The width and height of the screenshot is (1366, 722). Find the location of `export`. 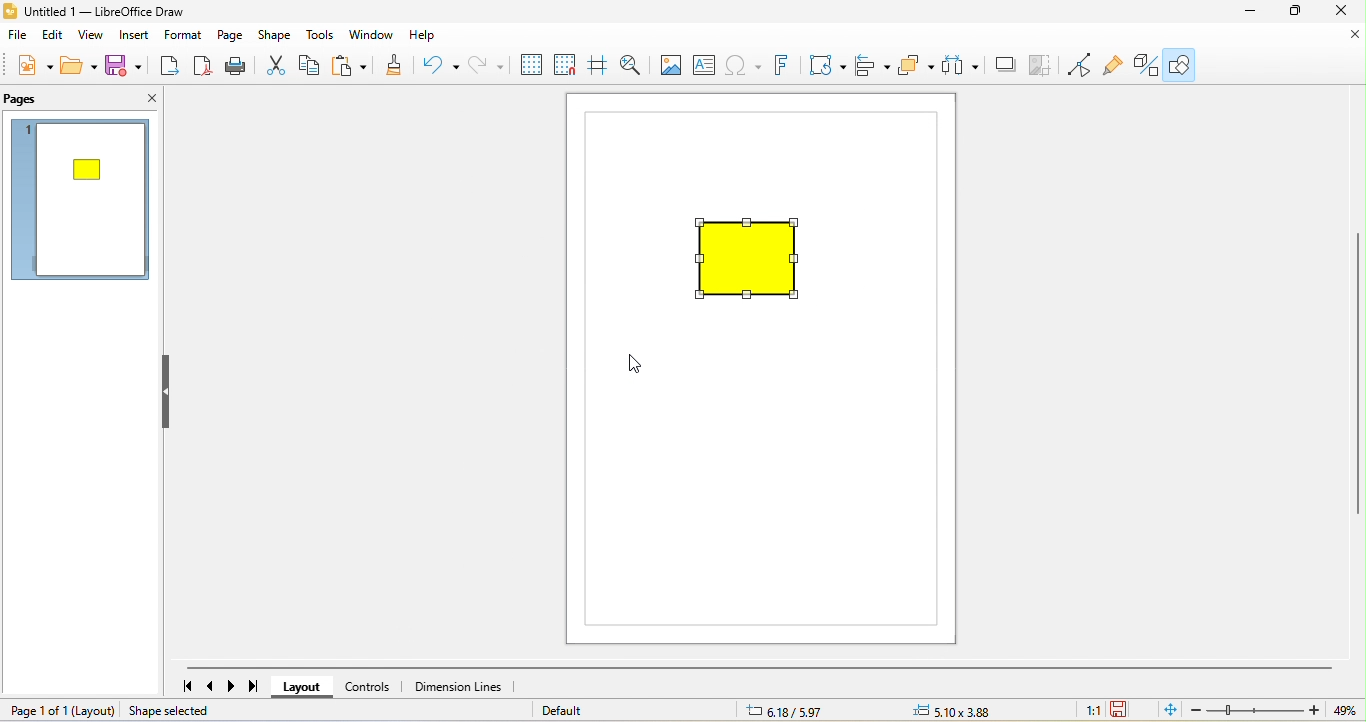

export is located at coordinates (167, 68).